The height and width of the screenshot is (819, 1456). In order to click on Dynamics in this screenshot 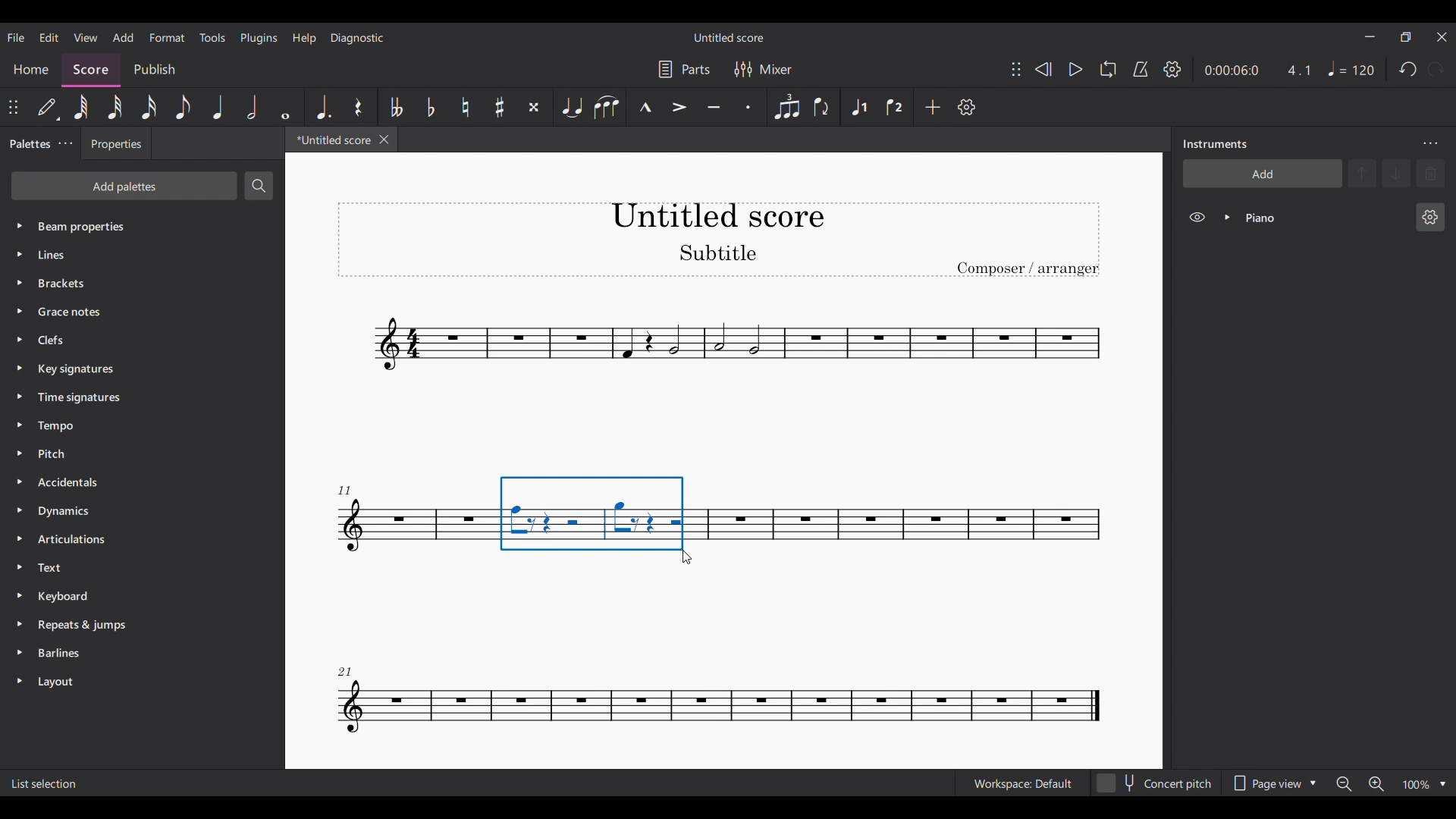, I will do `click(127, 513)`.